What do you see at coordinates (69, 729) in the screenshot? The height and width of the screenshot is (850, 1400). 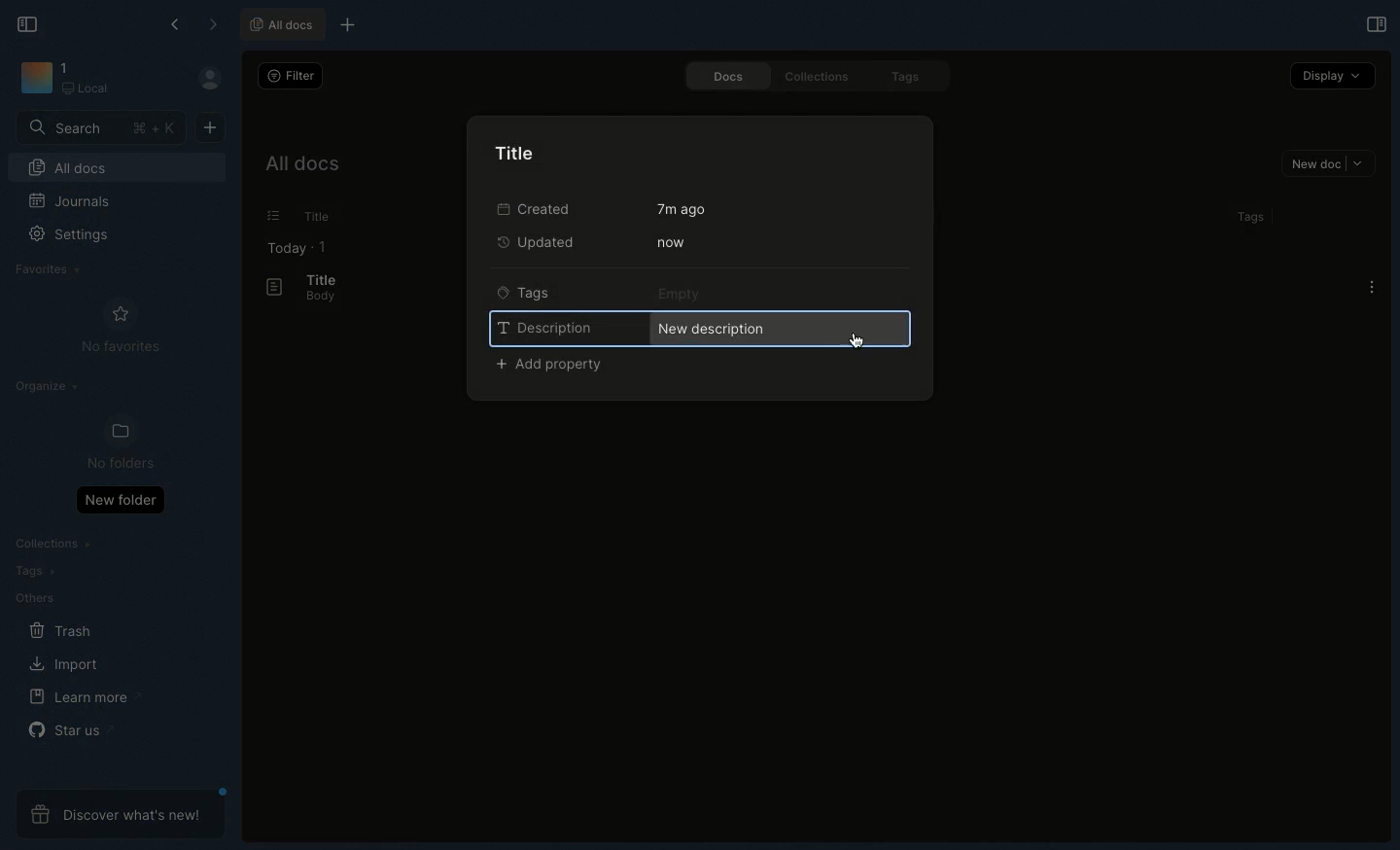 I see `Star us` at bounding box center [69, 729].